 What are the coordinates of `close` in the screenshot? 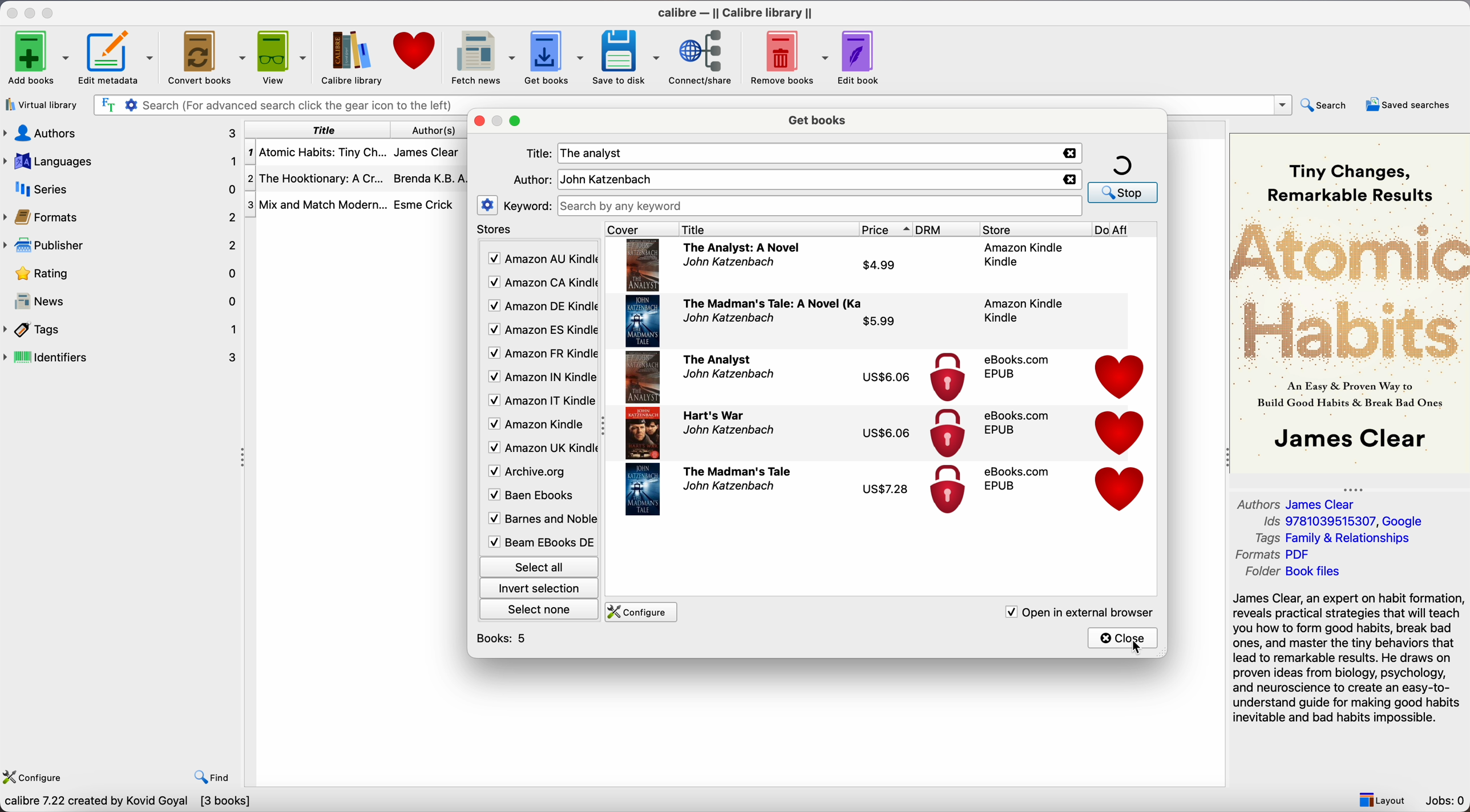 It's located at (480, 122).